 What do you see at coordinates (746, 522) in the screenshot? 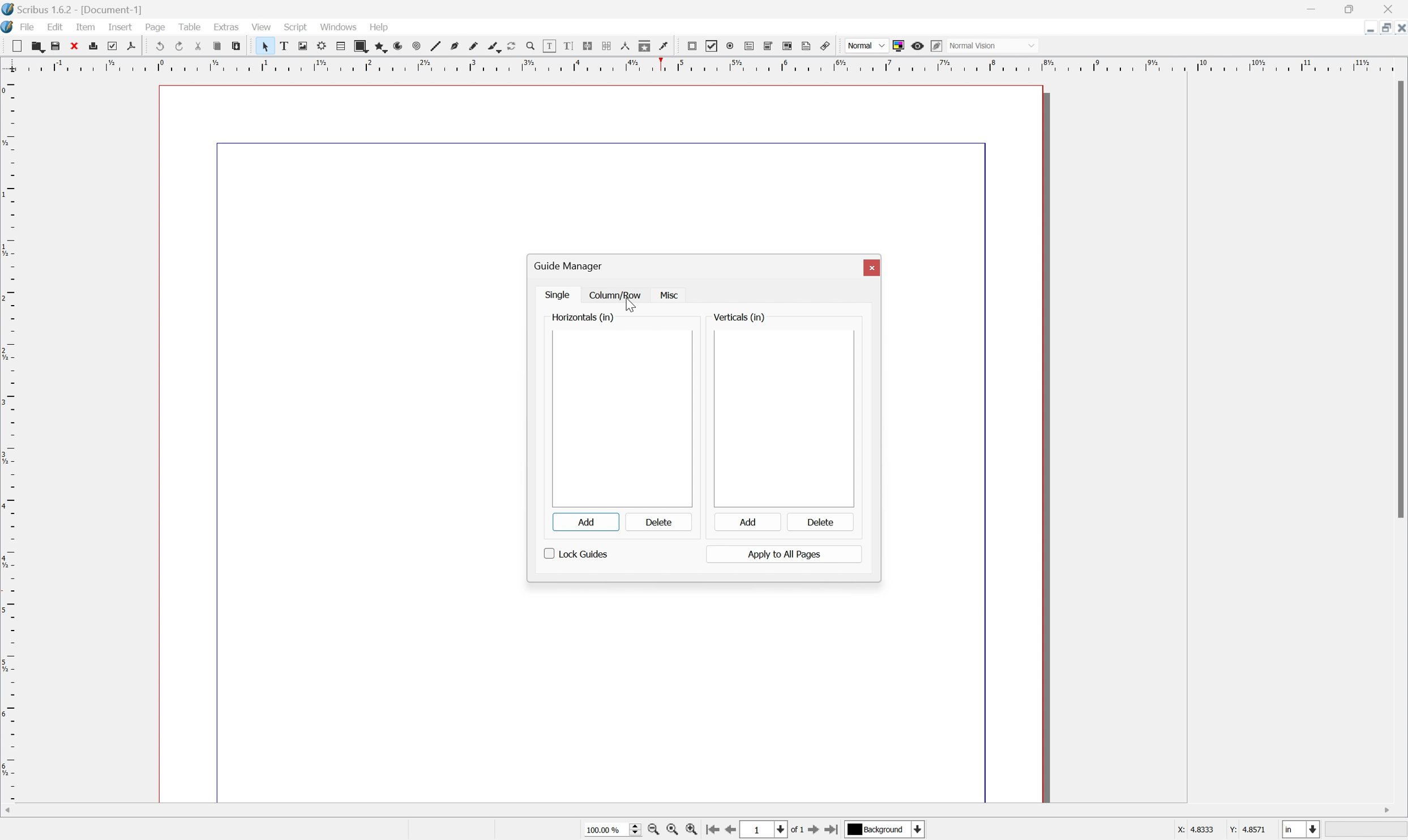
I see `add` at bounding box center [746, 522].